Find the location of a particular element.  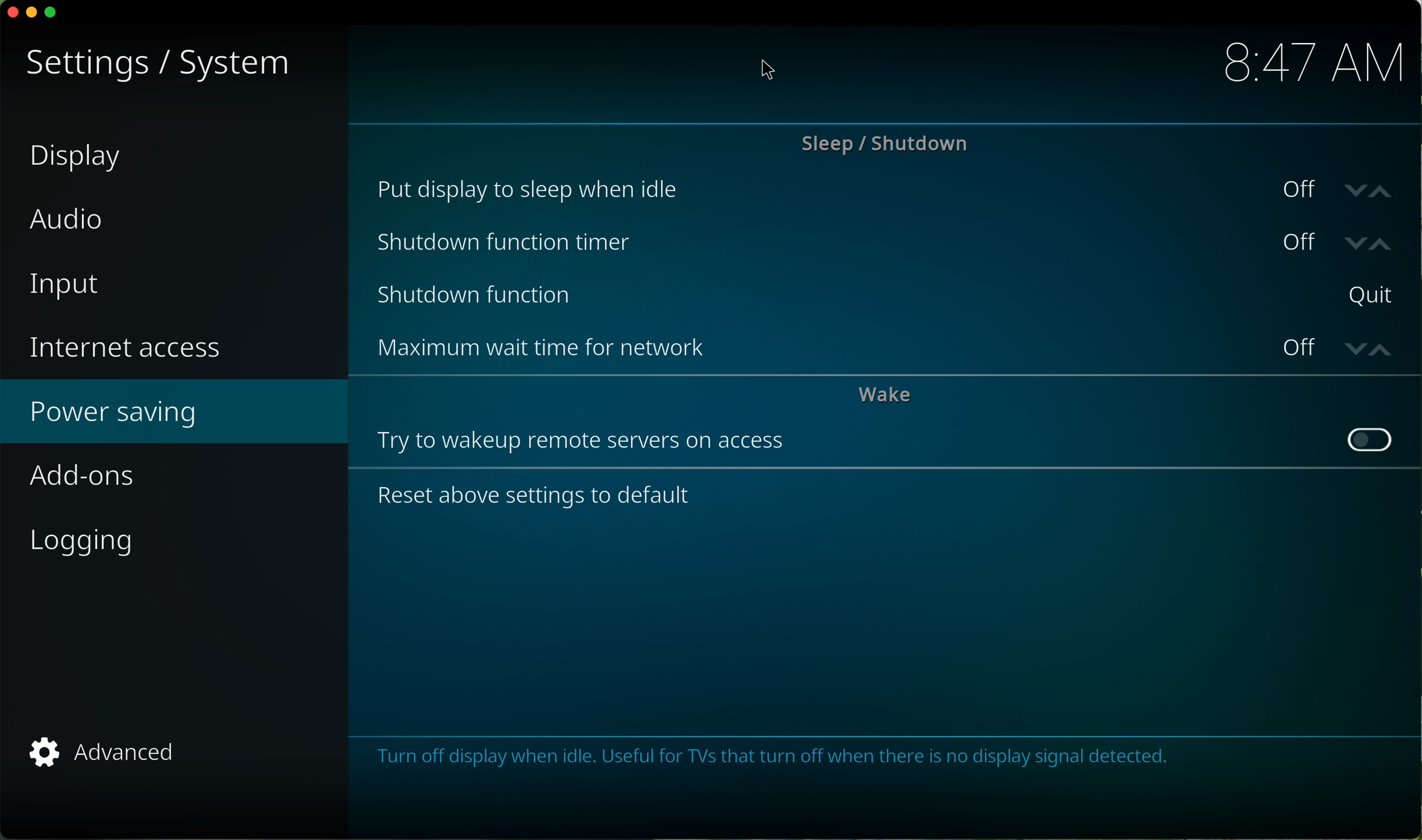

close program is located at coordinates (11, 13).